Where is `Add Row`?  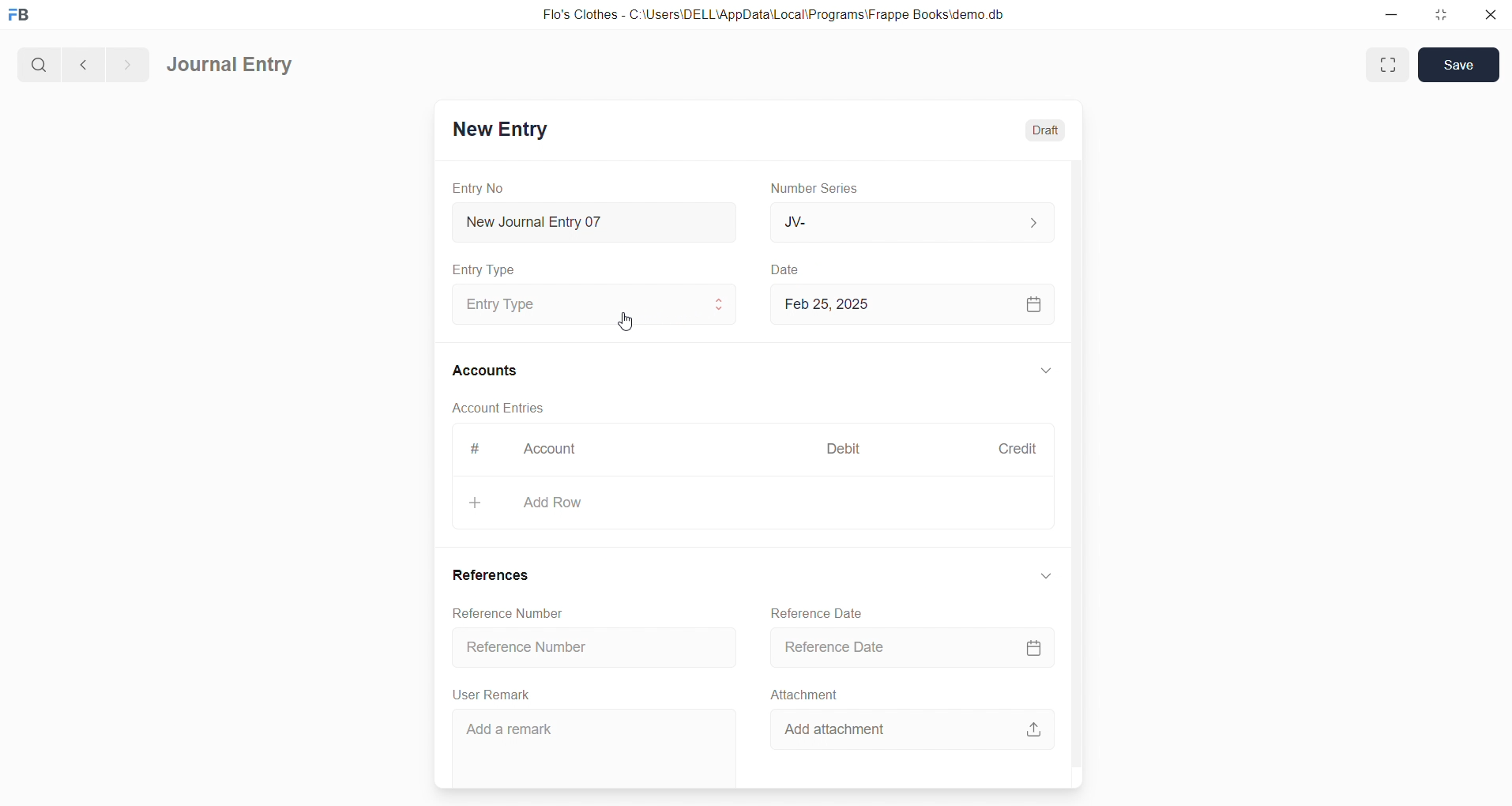 Add Row is located at coordinates (752, 504).